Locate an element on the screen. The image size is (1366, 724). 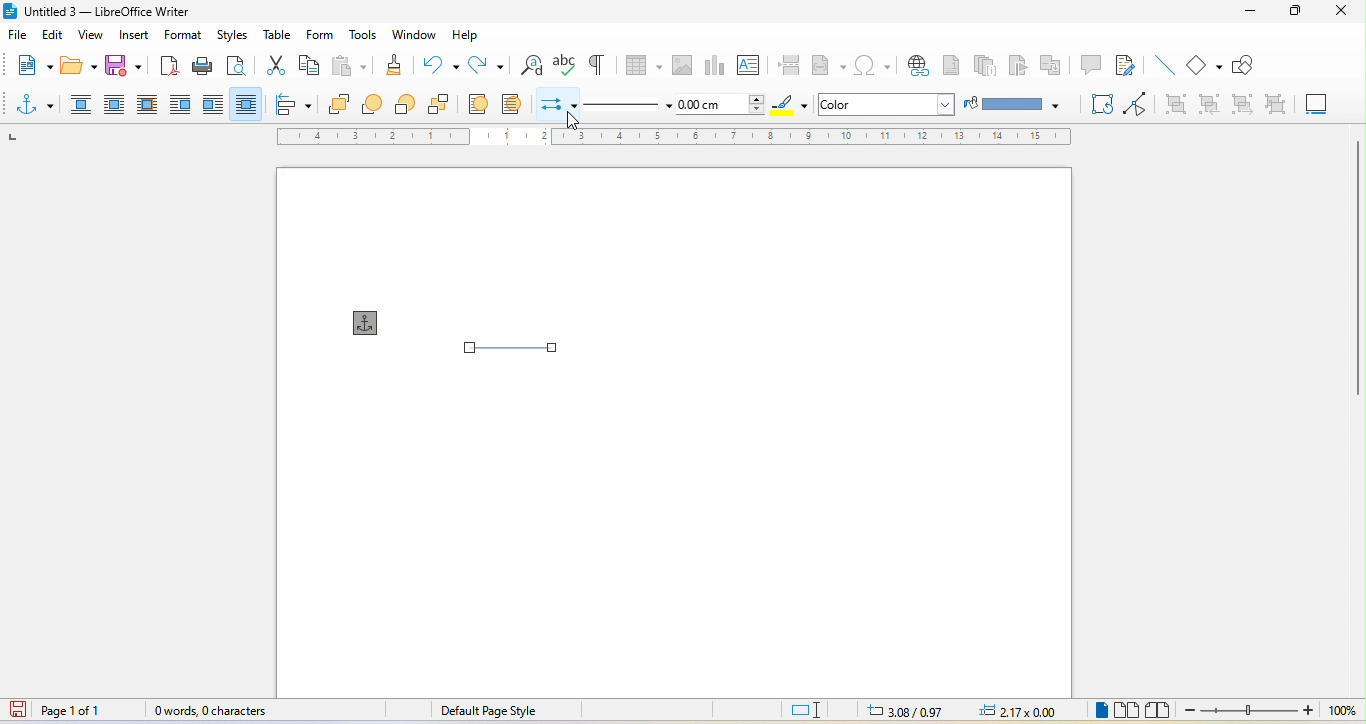
text box is located at coordinates (752, 64).